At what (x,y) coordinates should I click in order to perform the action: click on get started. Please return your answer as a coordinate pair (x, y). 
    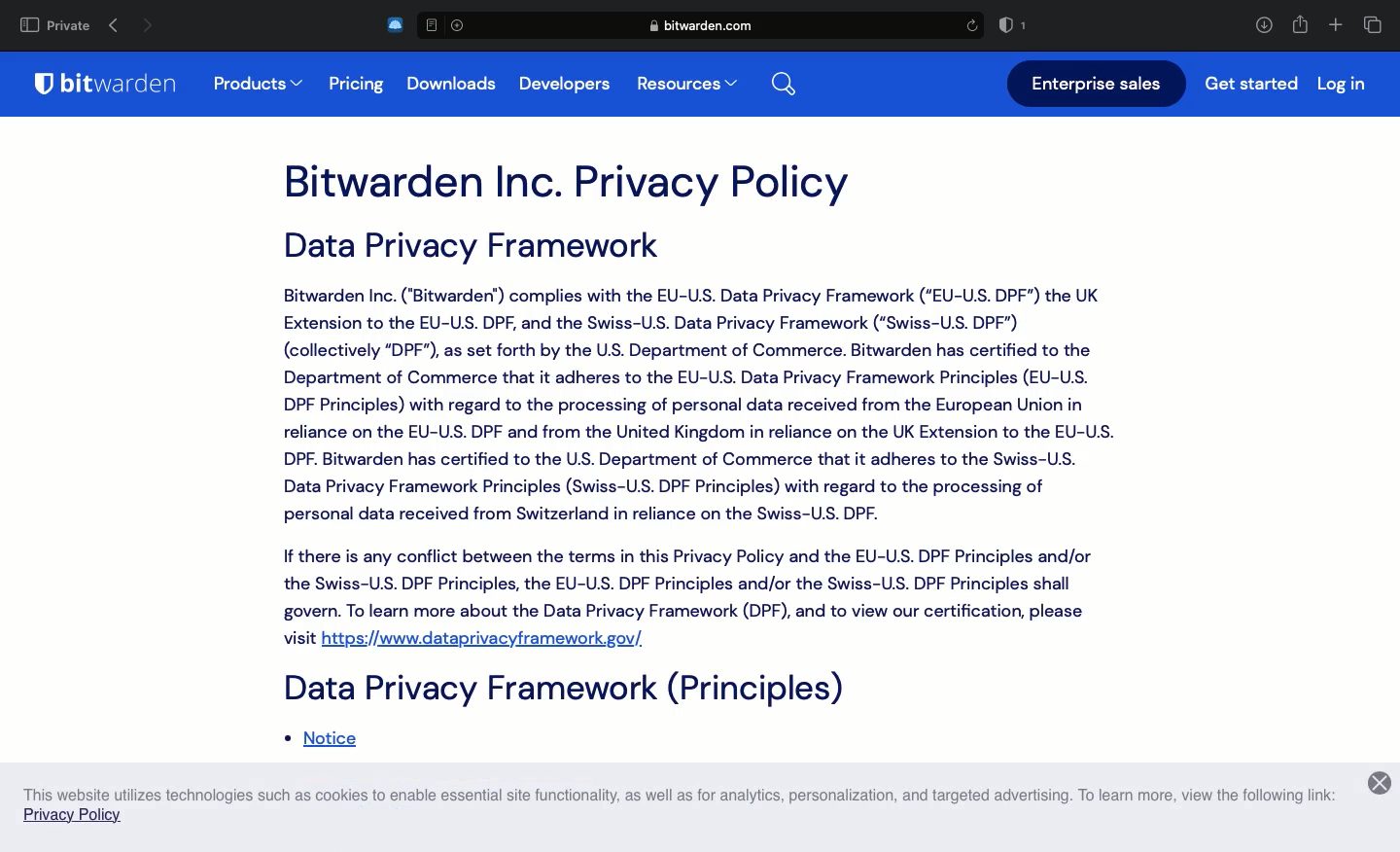
    Looking at the image, I should click on (1251, 86).